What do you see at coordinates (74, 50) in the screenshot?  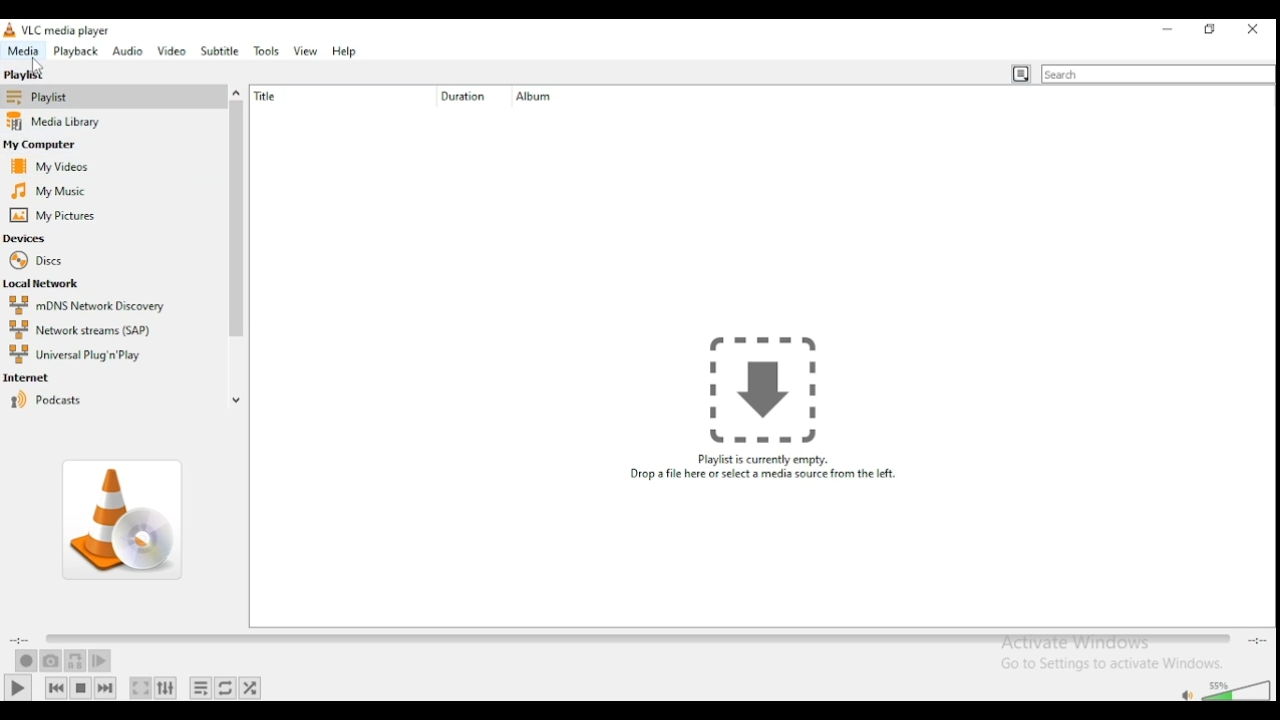 I see `playback` at bounding box center [74, 50].